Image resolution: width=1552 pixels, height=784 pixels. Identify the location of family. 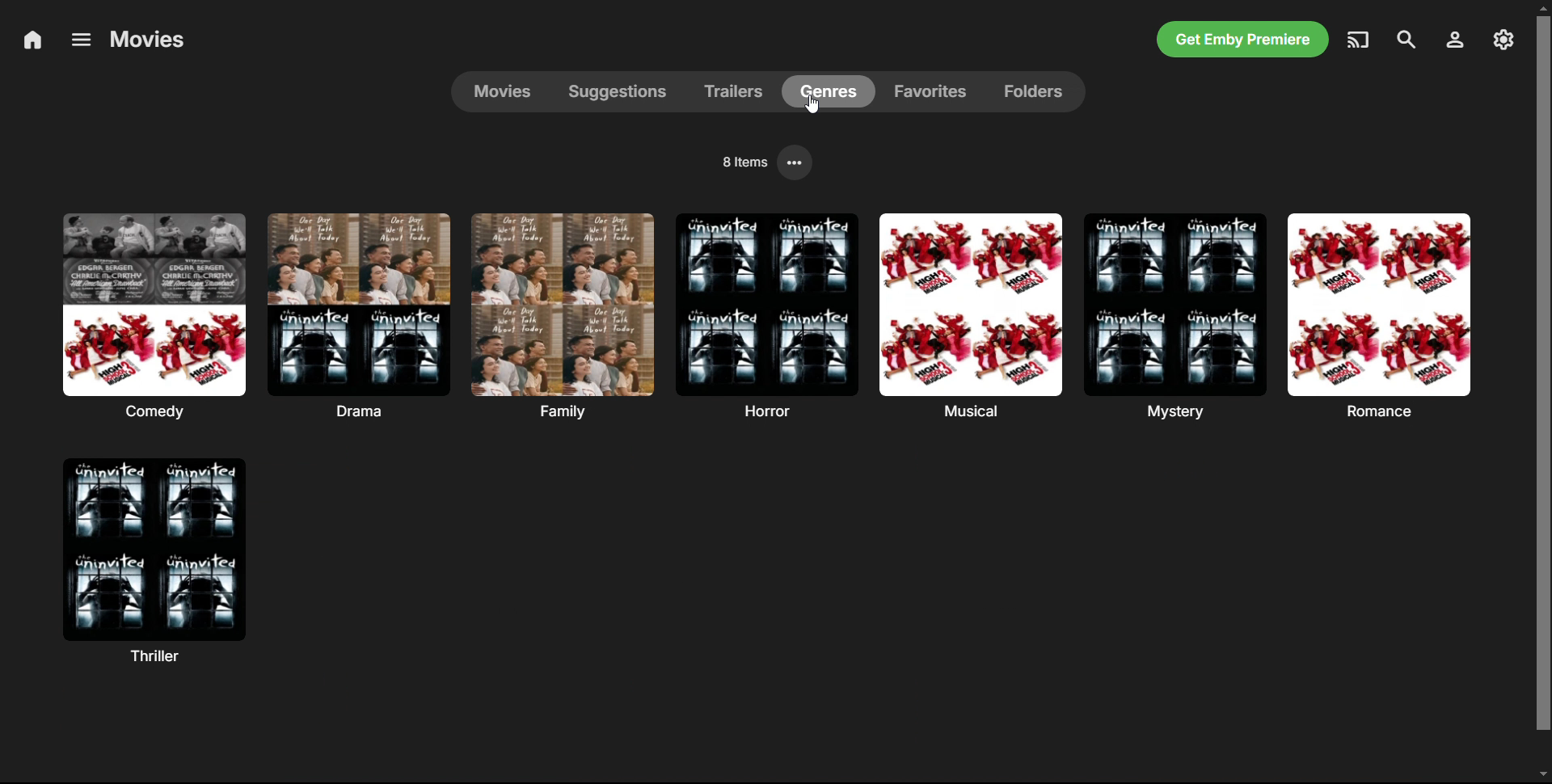
(561, 314).